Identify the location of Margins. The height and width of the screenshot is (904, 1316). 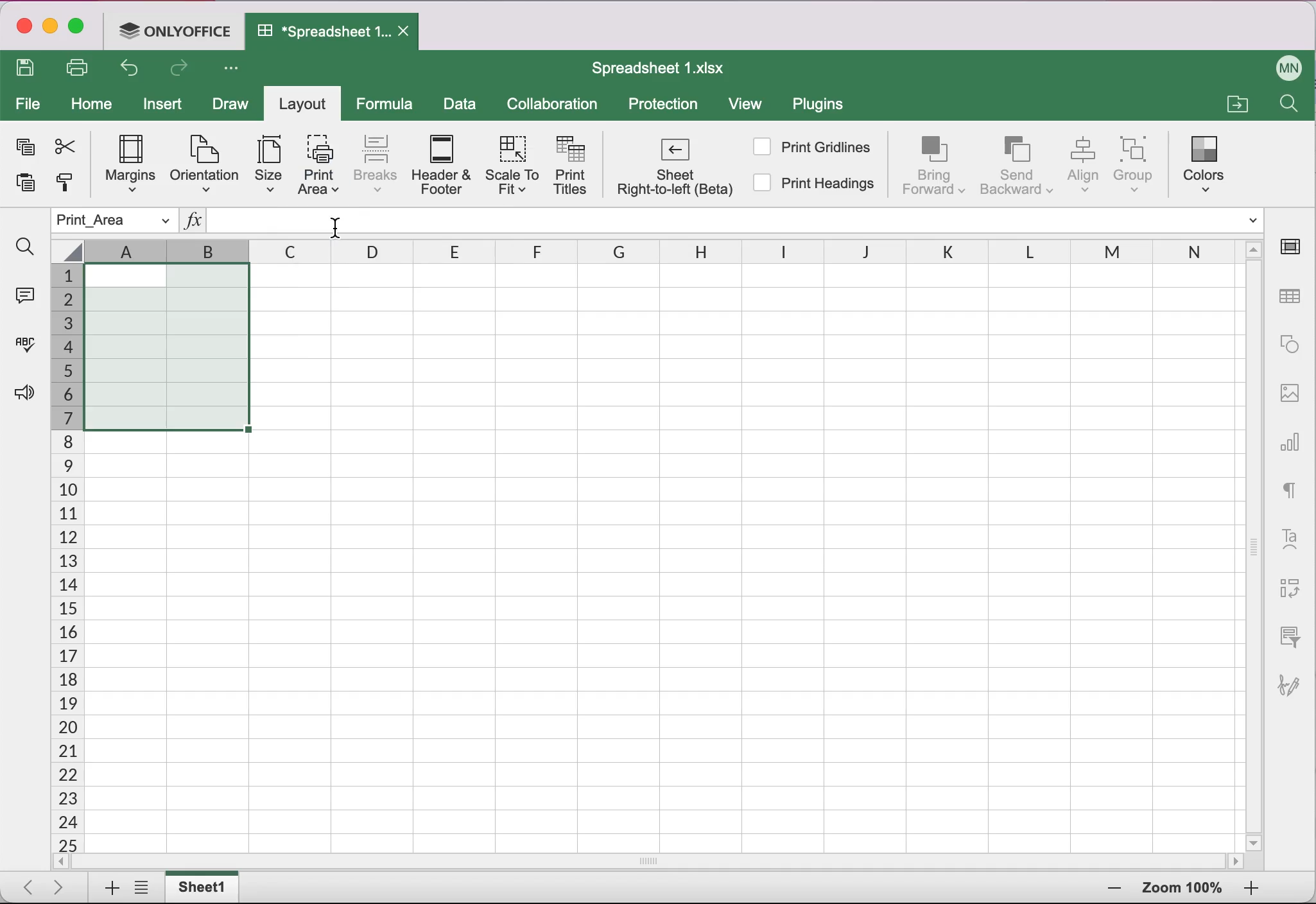
(124, 166).